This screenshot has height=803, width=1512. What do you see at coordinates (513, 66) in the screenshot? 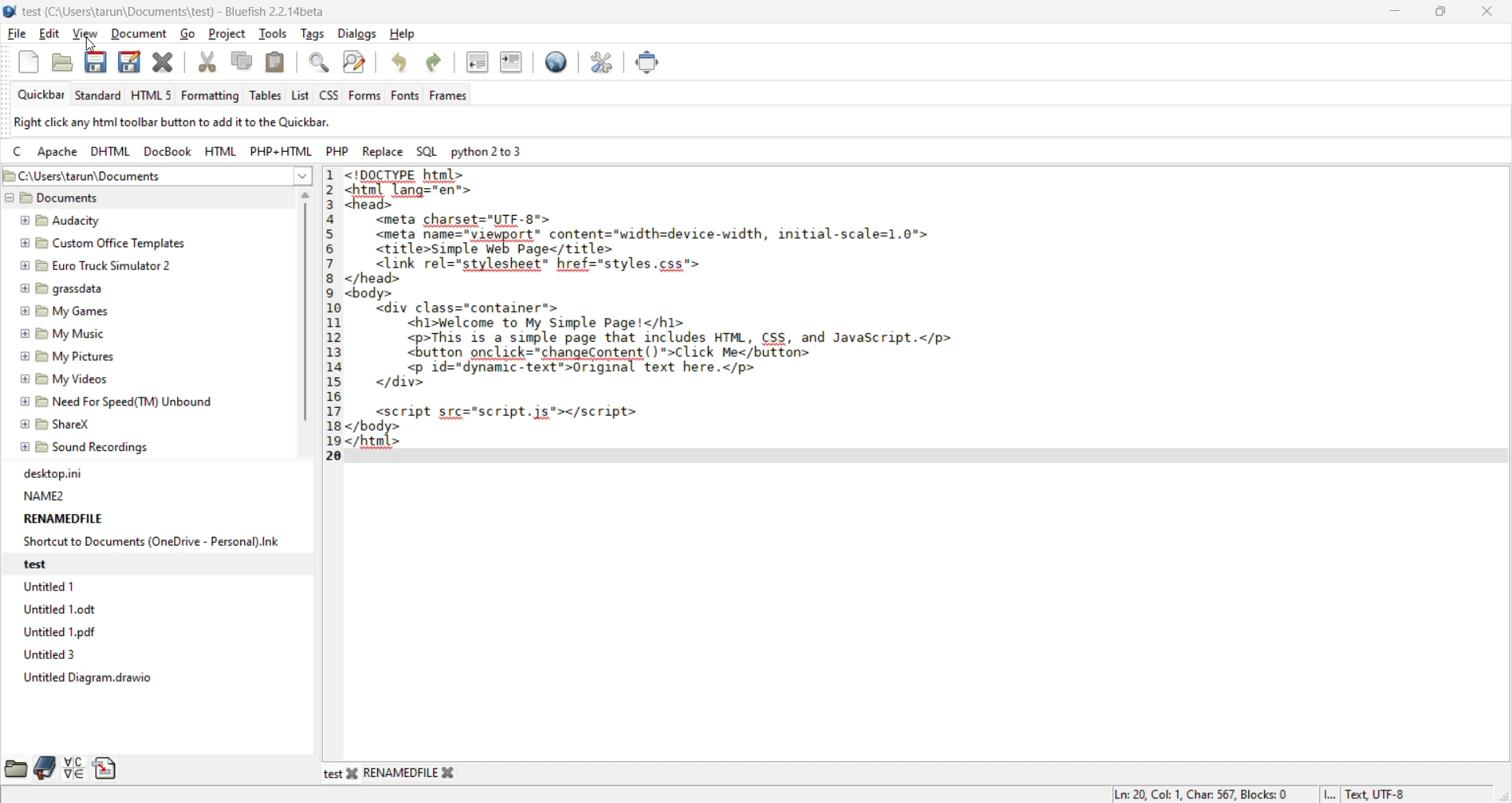
I see `indent` at bounding box center [513, 66].